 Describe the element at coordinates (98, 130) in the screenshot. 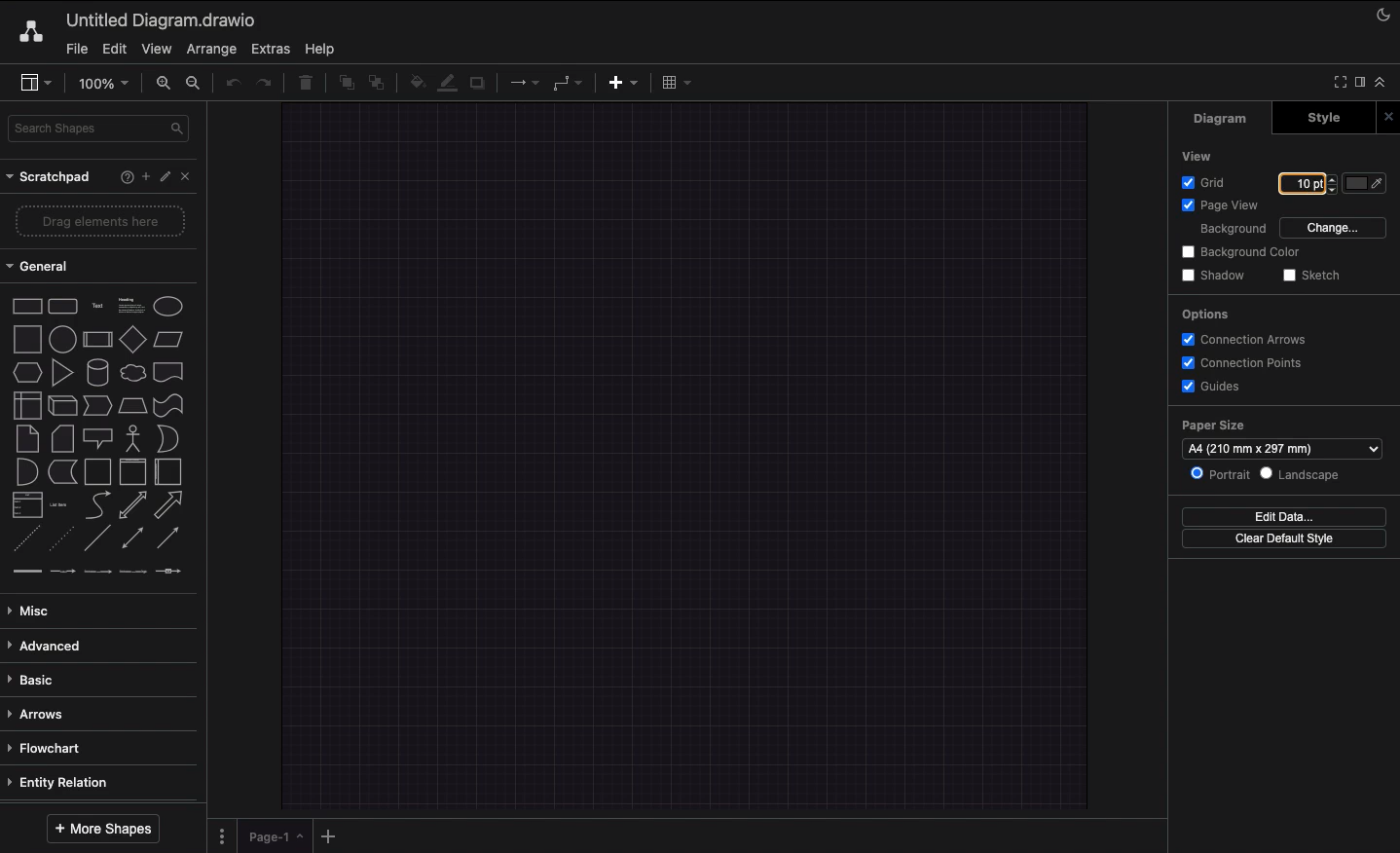

I see `Search shapes` at that location.